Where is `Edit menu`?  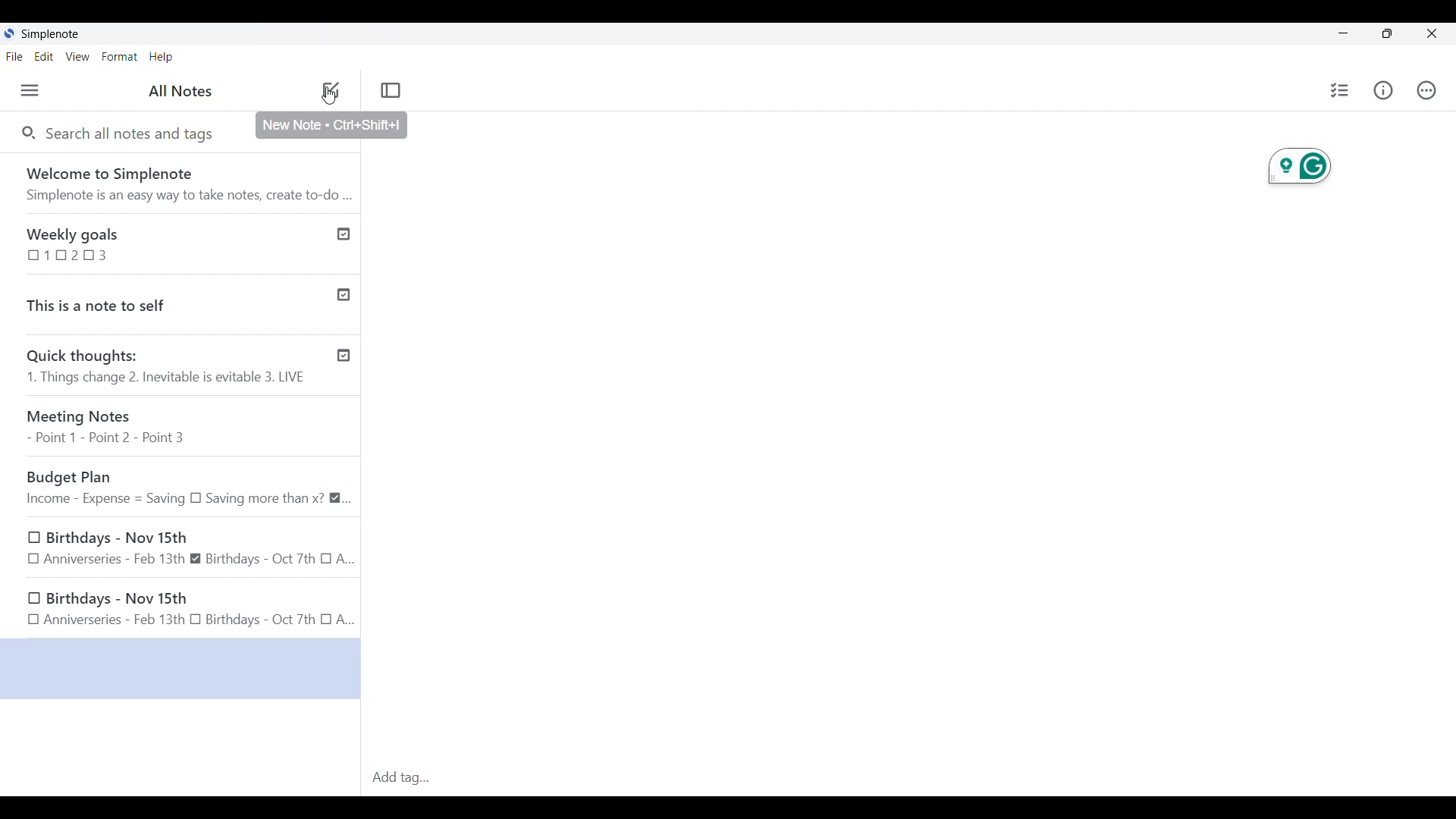 Edit menu is located at coordinates (44, 56).